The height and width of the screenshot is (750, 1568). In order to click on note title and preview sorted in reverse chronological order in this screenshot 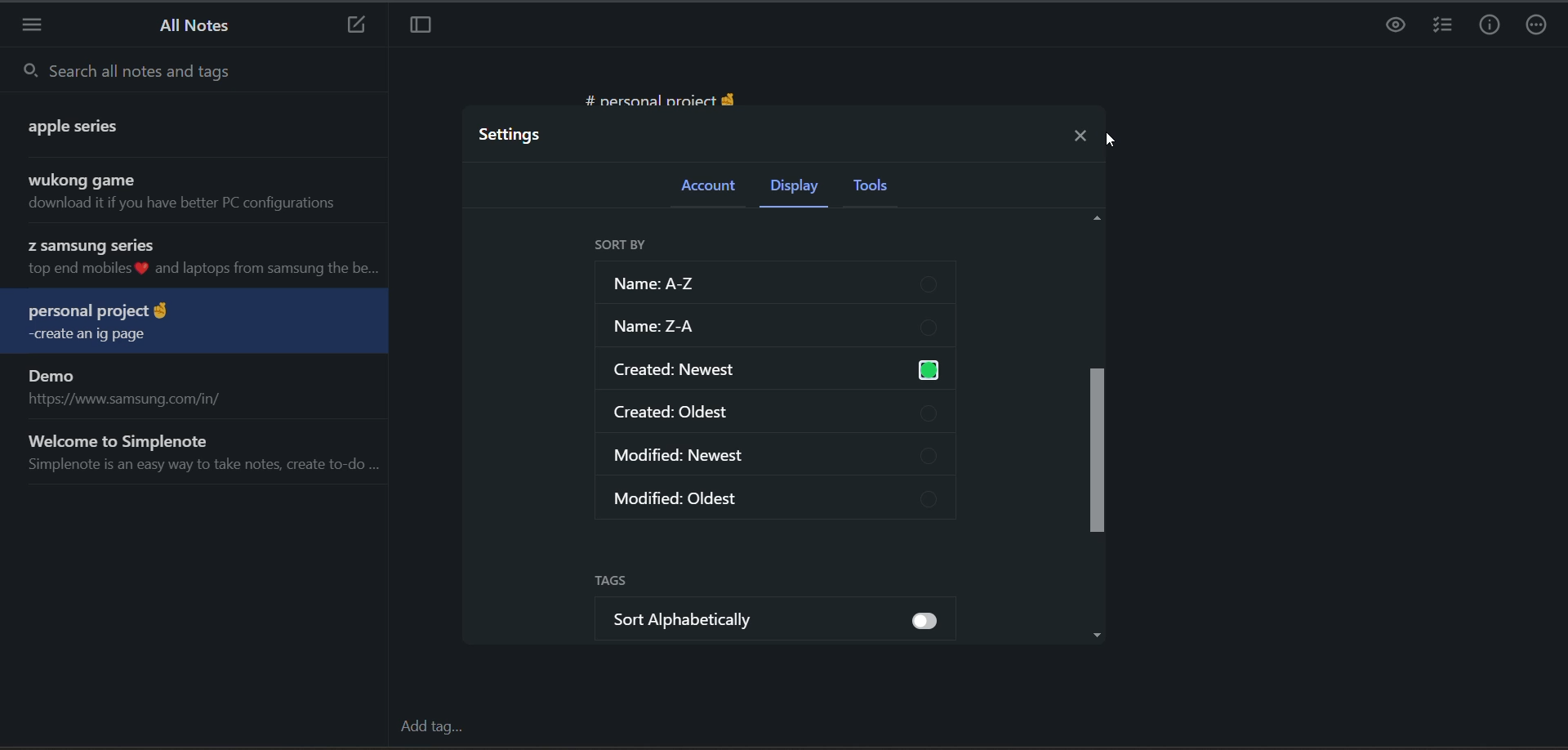, I will do `click(201, 193)`.